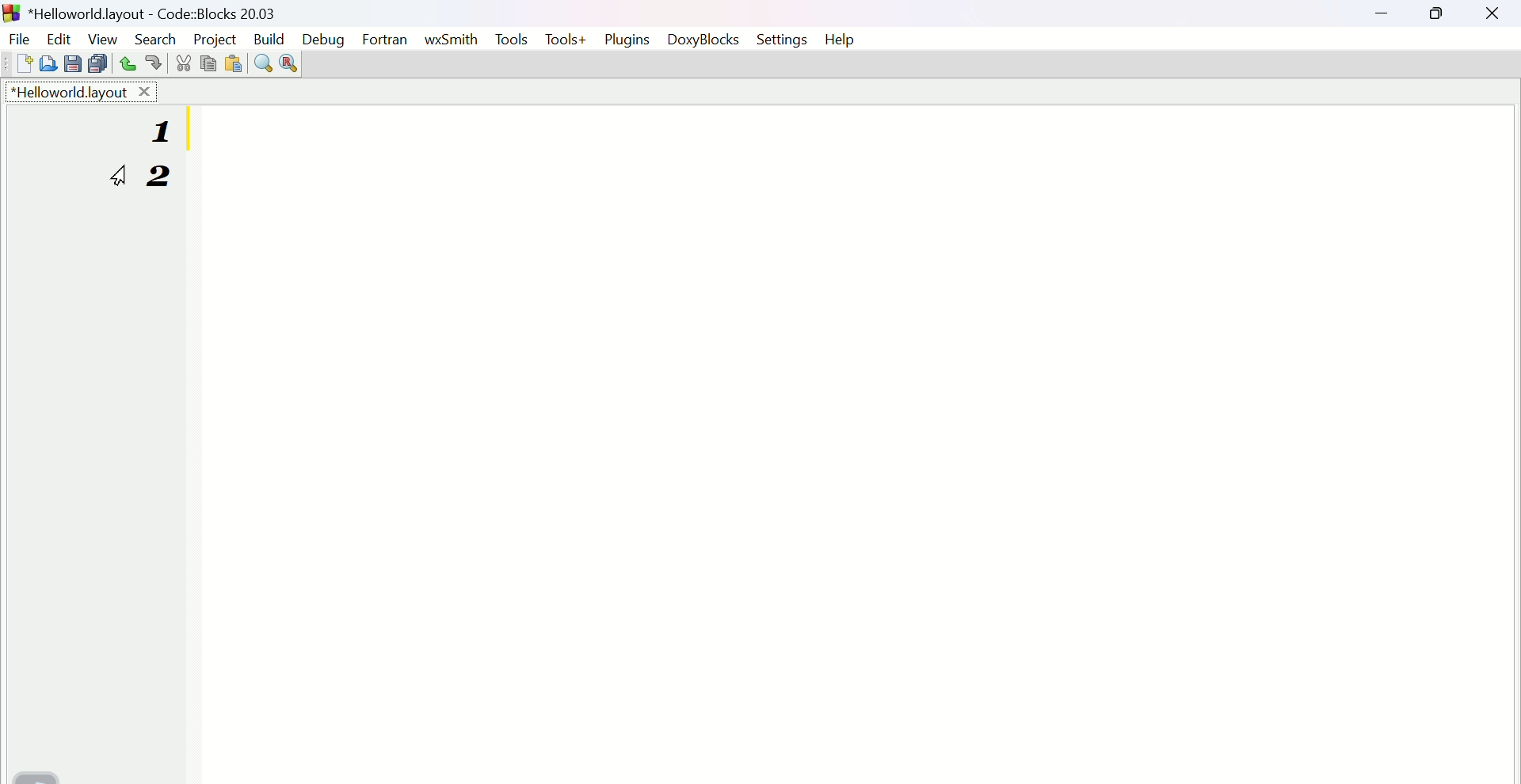 This screenshot has width=1521, height=784. What do you see at coordinates (18, 37) in the screenshot?
I see `file` at bounding box center [18, 37].